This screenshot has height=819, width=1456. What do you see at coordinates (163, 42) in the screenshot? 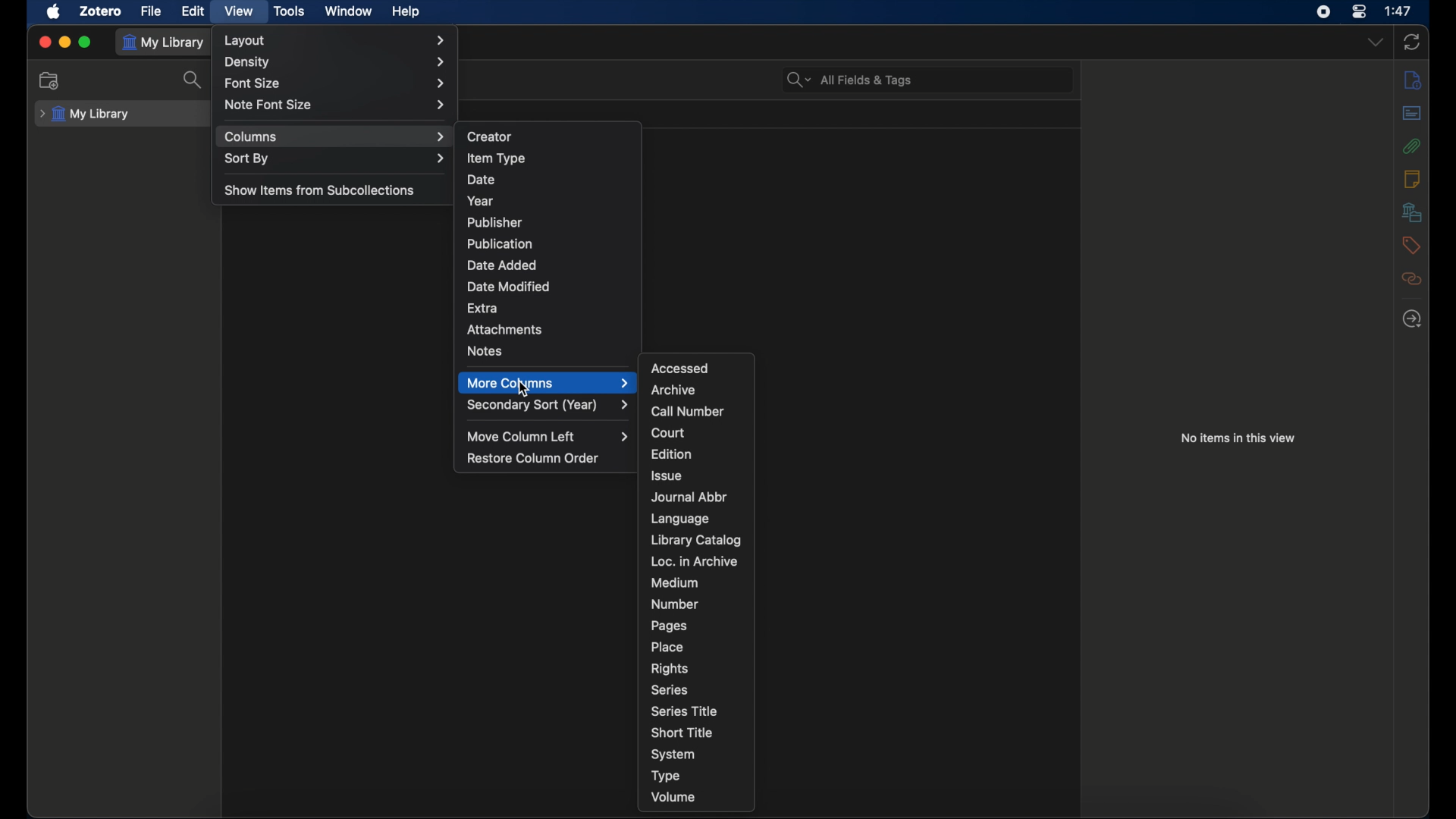
I see `my library` at bounding box center [163, 42].